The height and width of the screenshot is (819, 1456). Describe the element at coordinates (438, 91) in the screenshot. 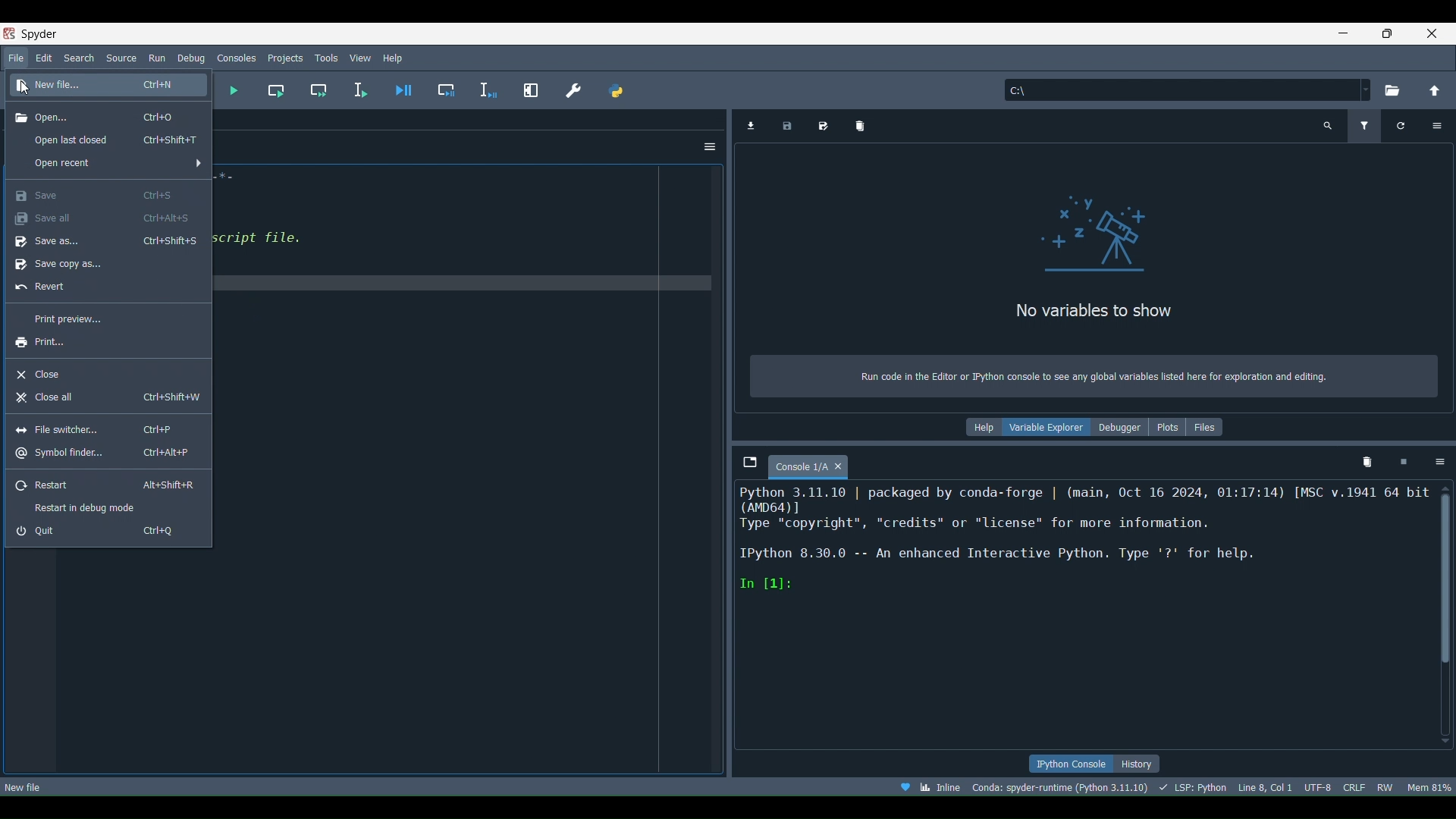

I see `Debug cell` at that location.